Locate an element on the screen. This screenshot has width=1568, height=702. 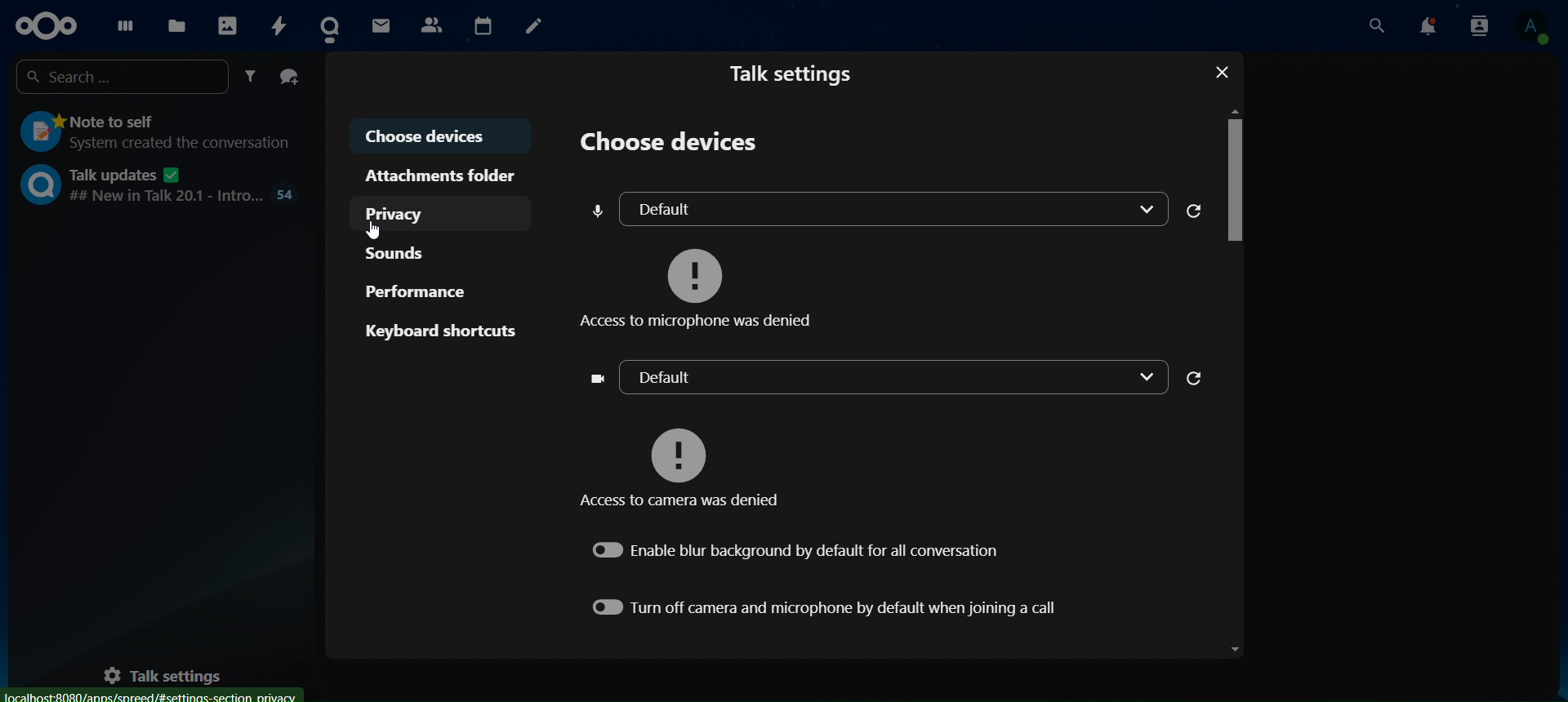
access to camera was denied is located at coordinates (683, 465).